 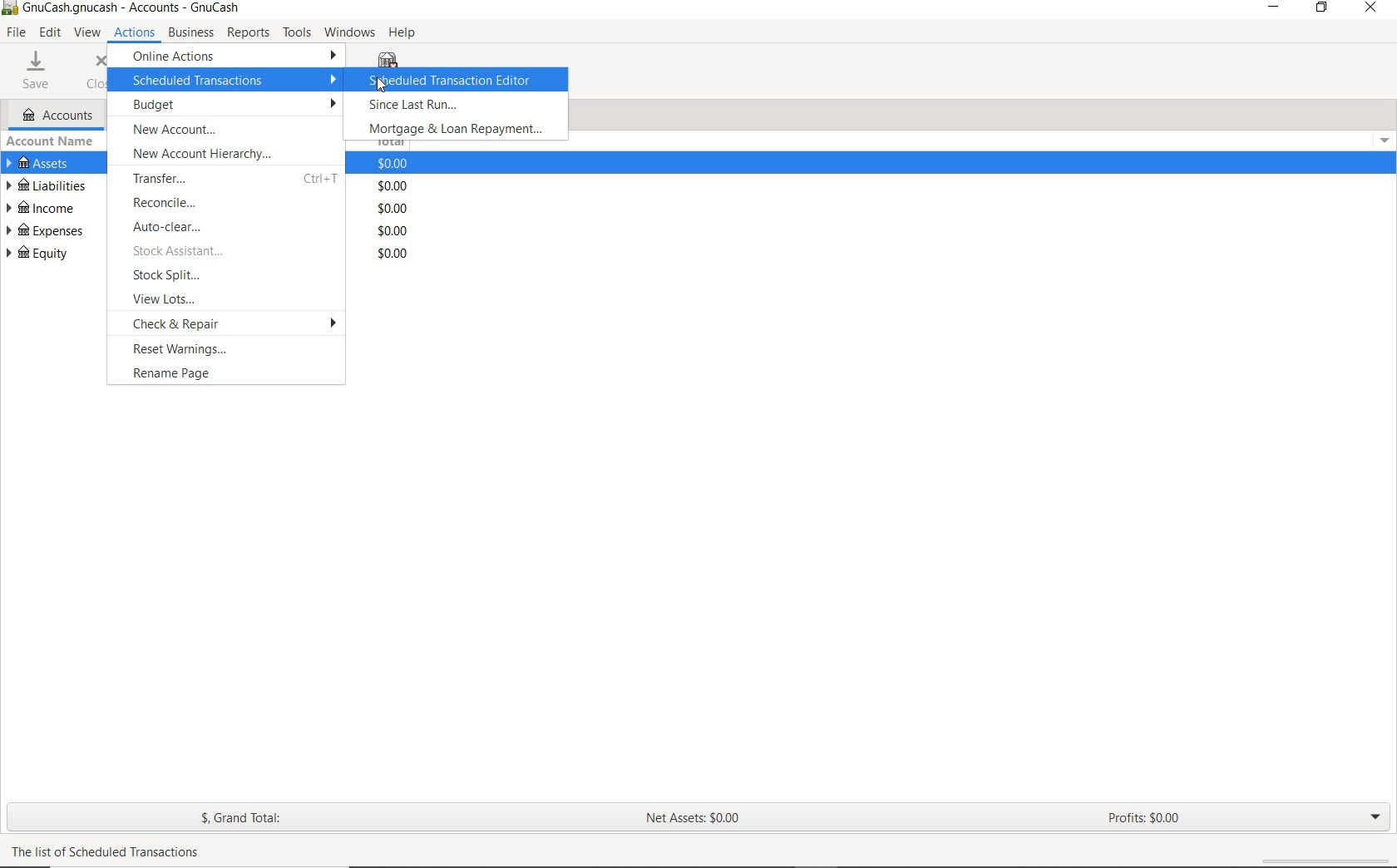 What do you see at coordinates (42, 163) in the screenshot?
I see `ASSETS` at bounding box center [42, 163].